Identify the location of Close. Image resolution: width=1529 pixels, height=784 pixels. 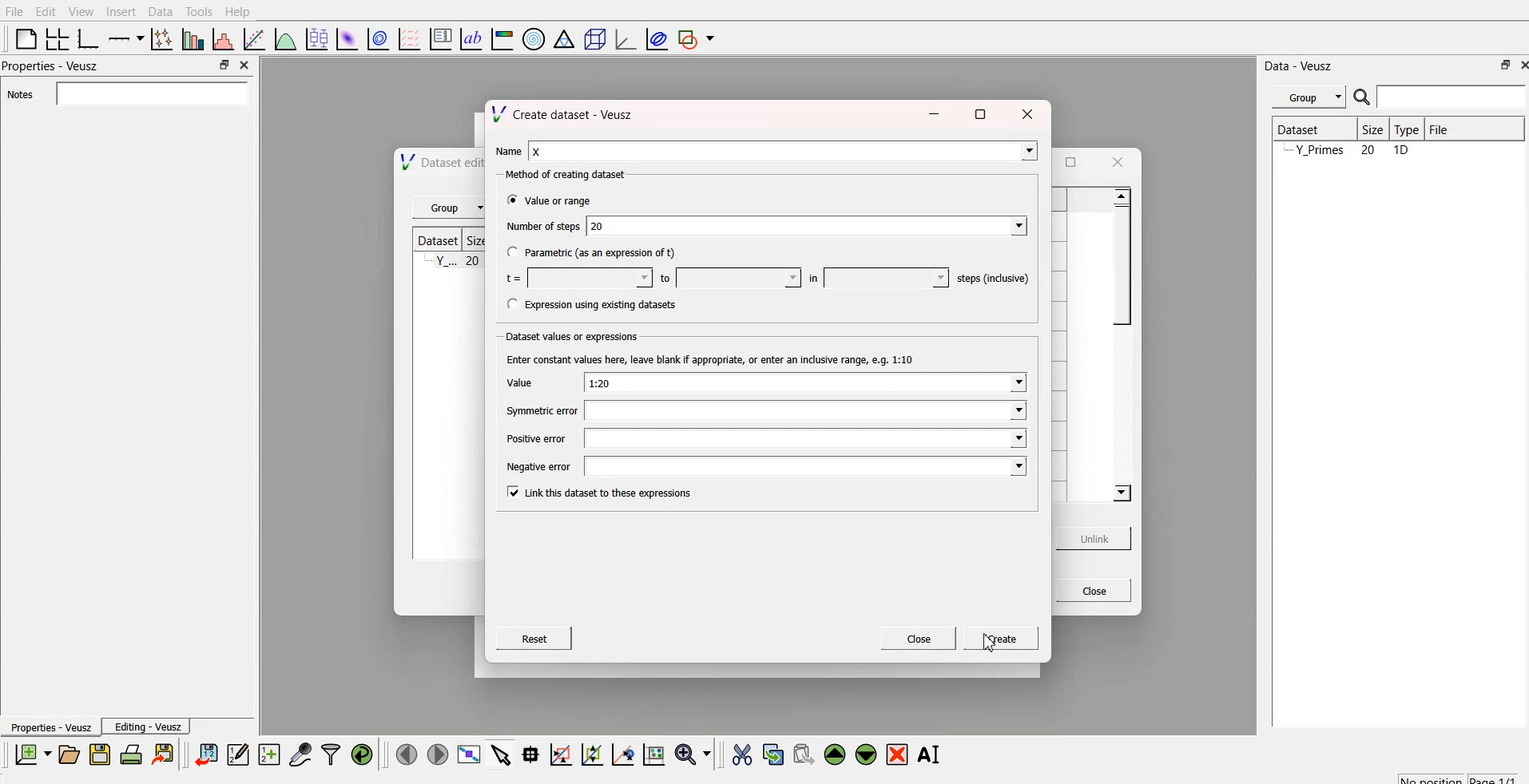
(1092, 592).